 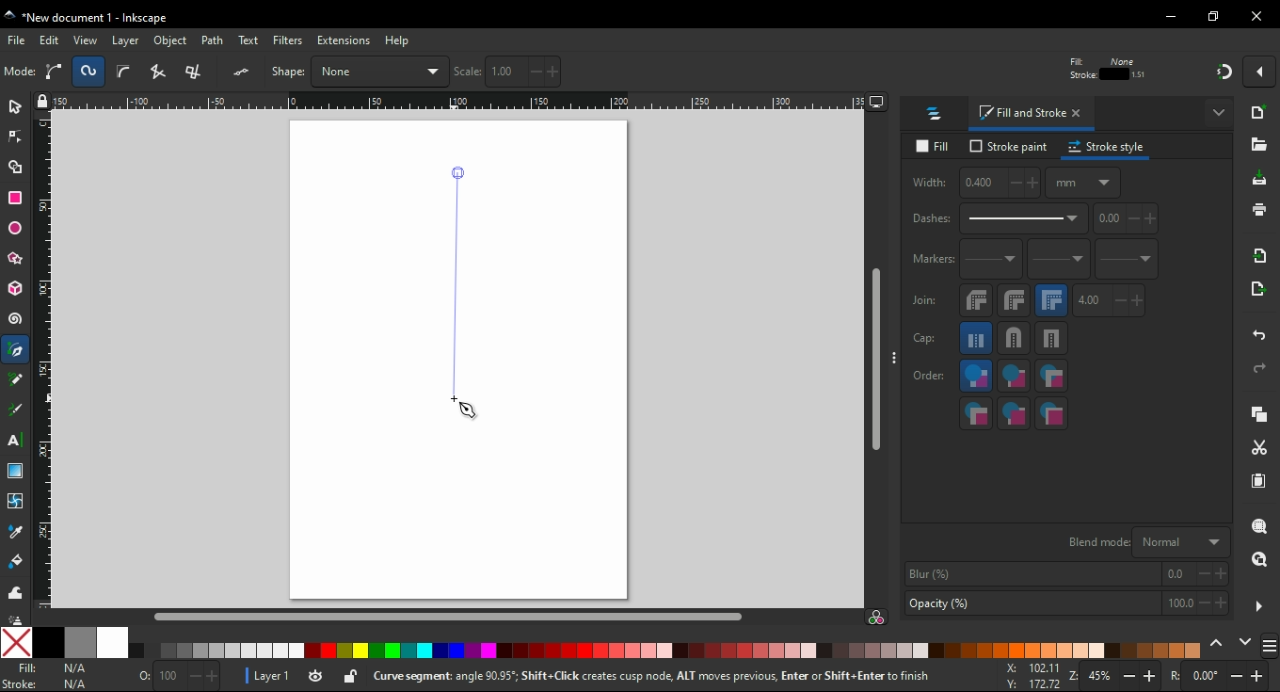 What do you see at coordinates (19, 561) in the screenshot?
I see `paint bucket tool` at bounding box center [19, 561].